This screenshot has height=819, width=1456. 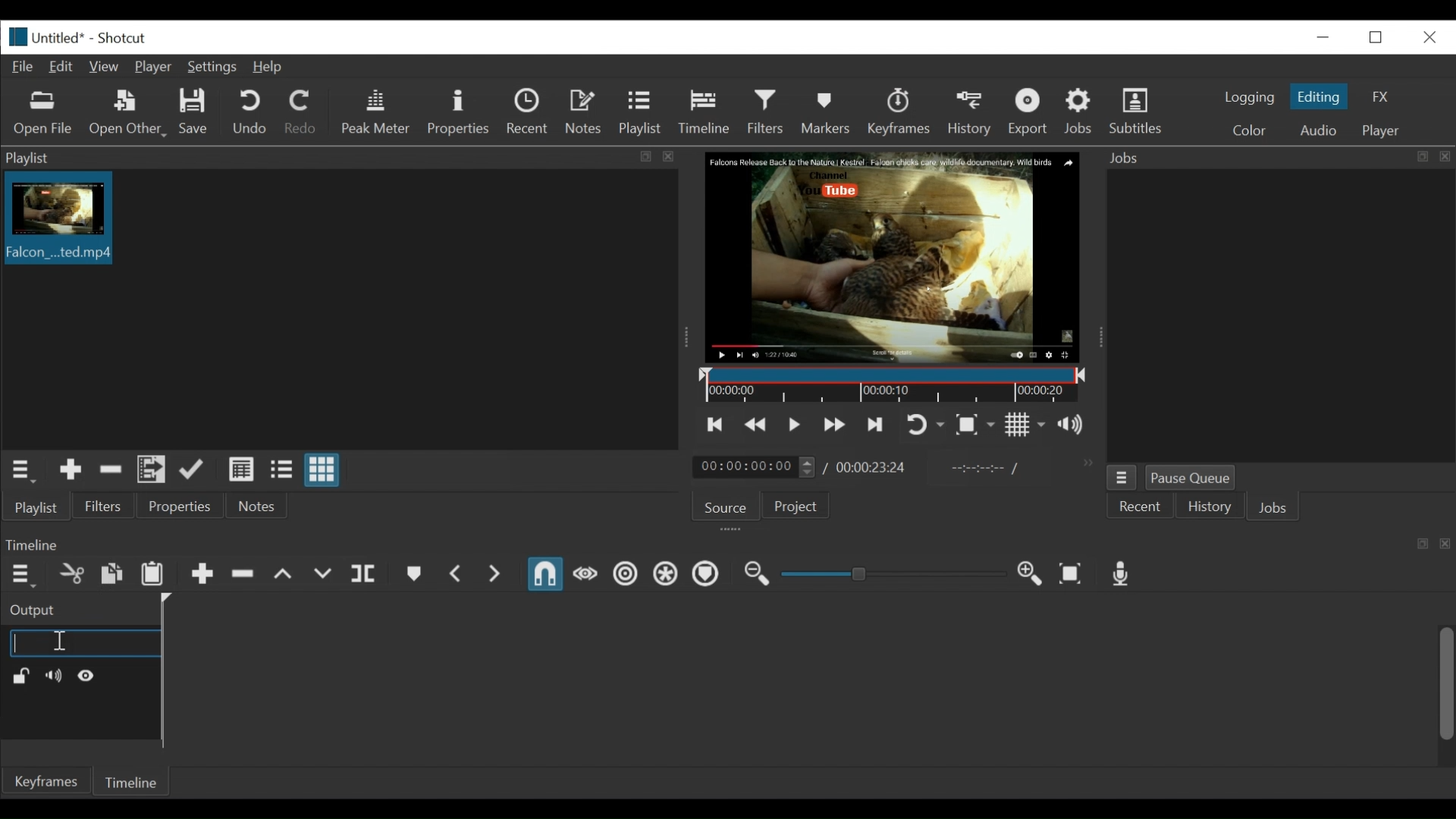 What do you see at coordinates (39, 508) in the screenshot?
I see `Playlist` at bounding box center [39, 508].